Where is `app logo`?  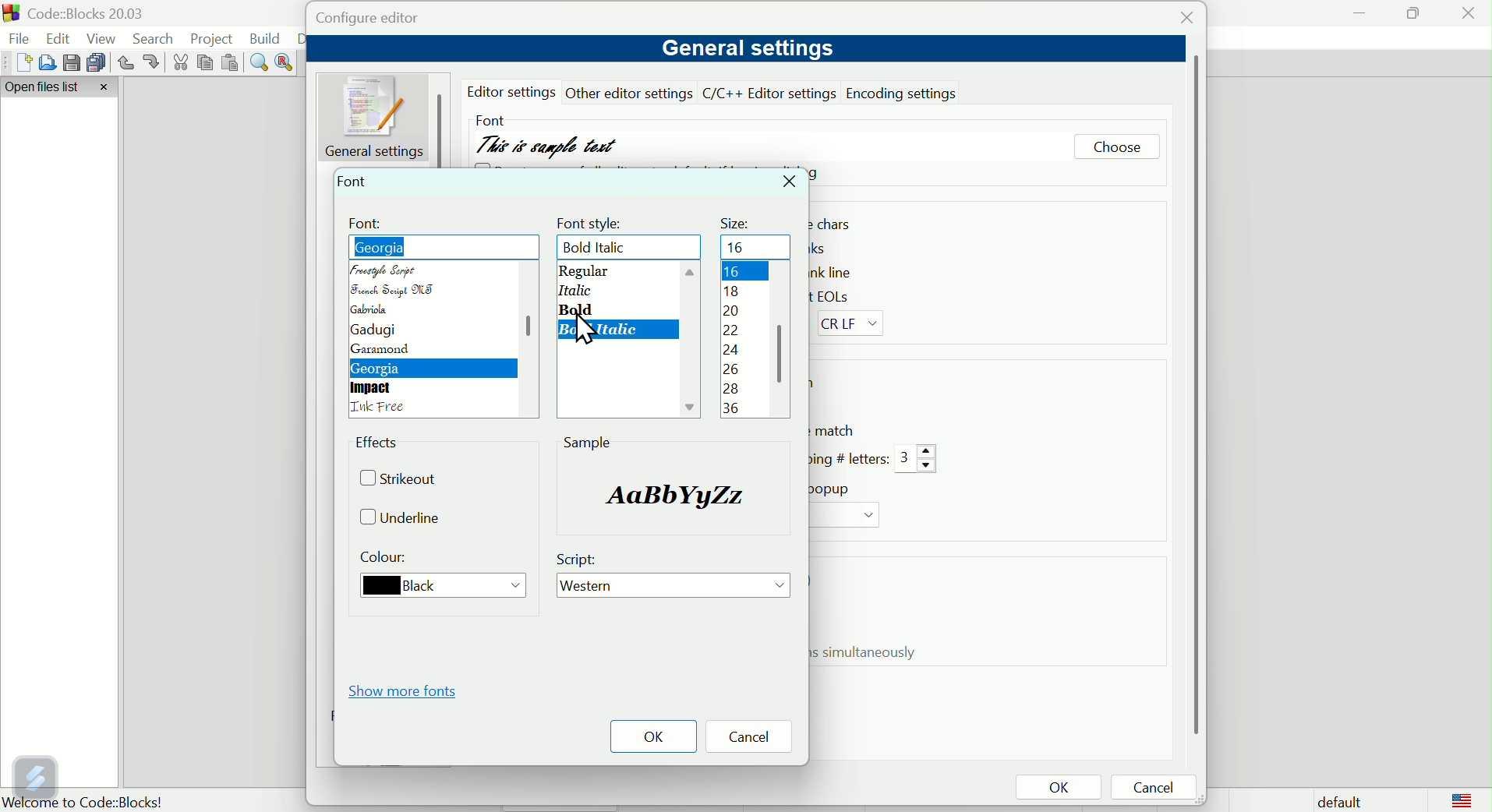
app logo is located at coordinates (9, 13).